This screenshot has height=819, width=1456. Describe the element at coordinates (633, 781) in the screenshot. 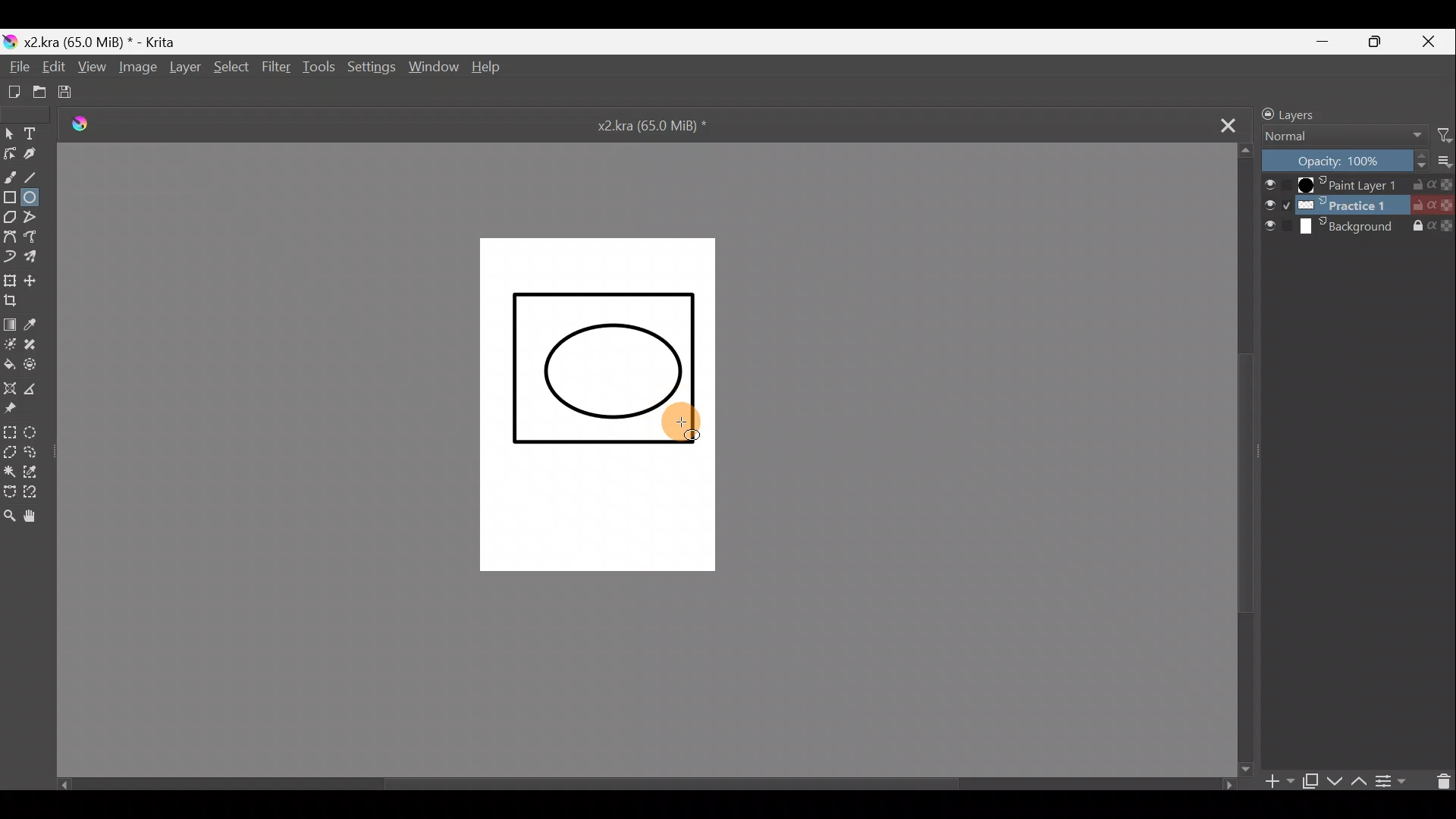

I see `Scroll bar` at that location.